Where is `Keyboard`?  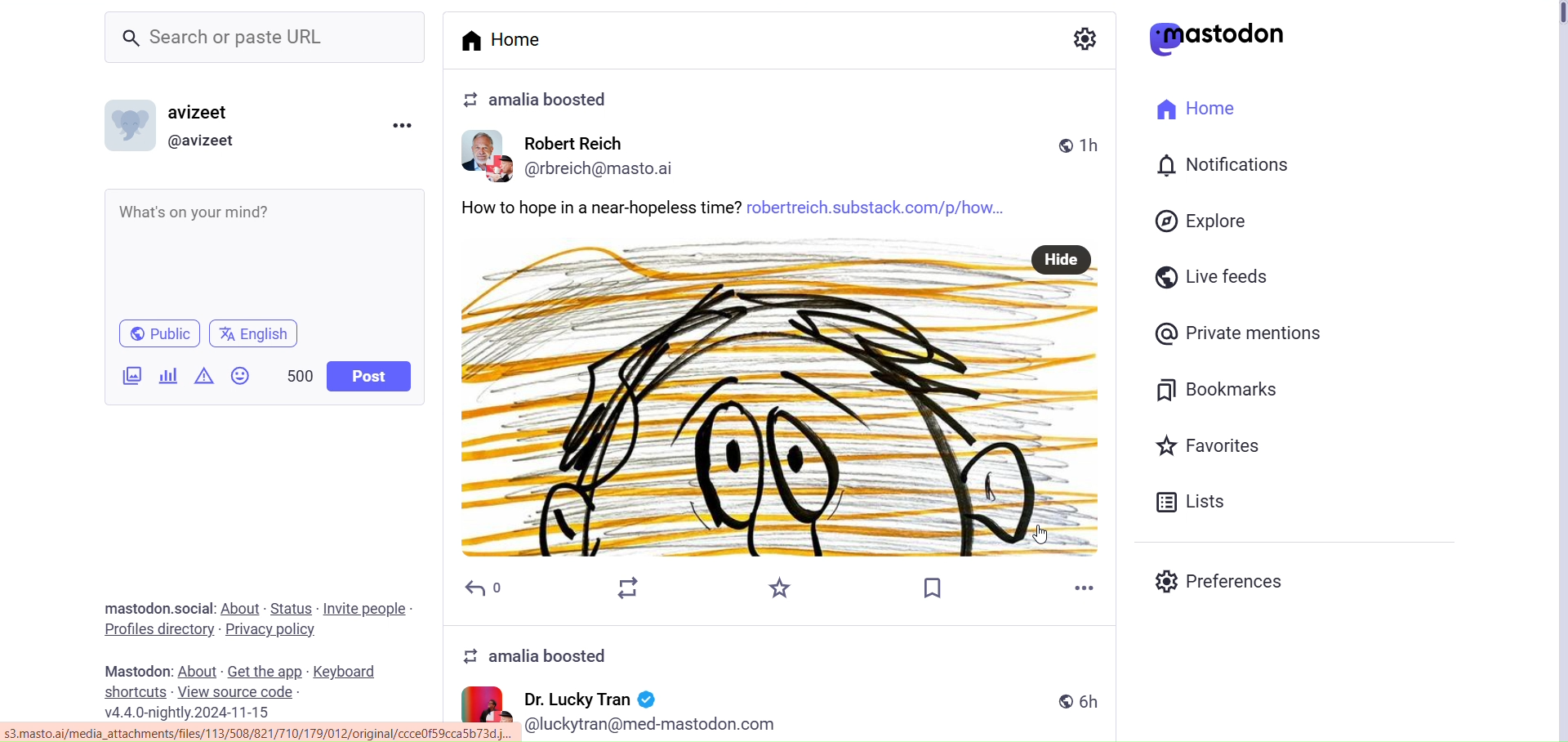 Keyboard is located at coordinates (342, 669).